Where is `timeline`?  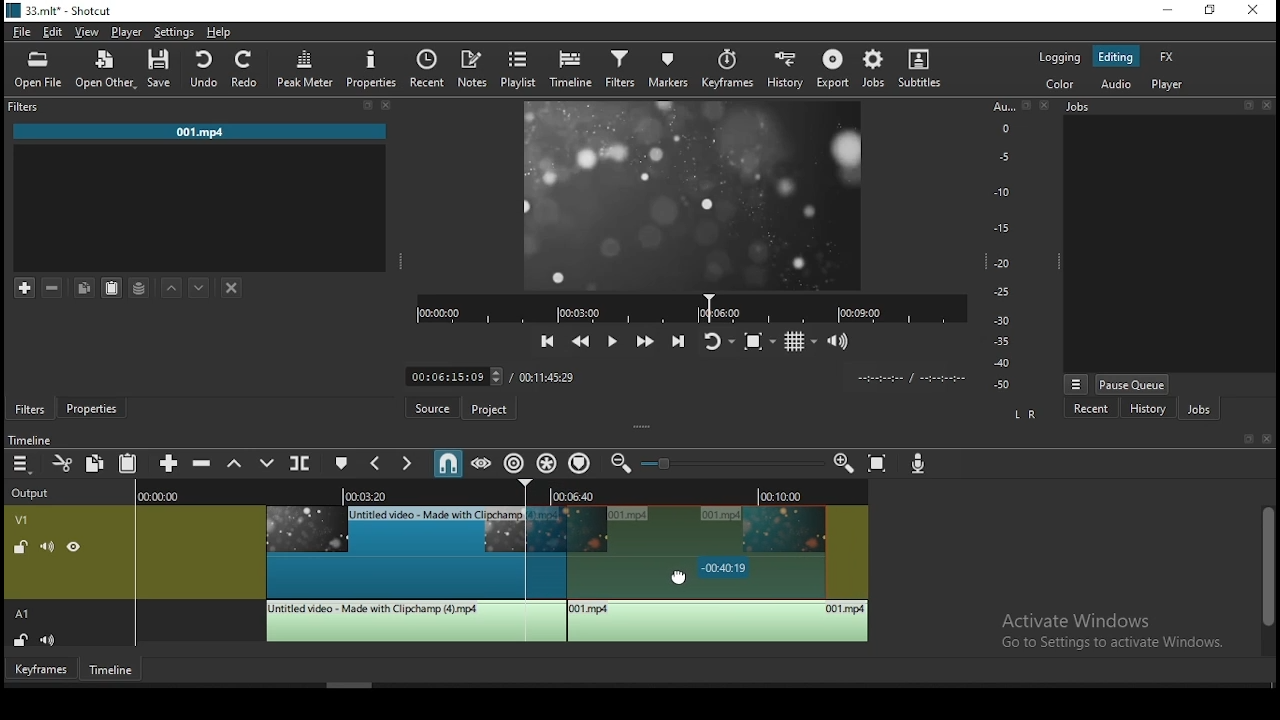
timeline is located at coordinates (574, 69).